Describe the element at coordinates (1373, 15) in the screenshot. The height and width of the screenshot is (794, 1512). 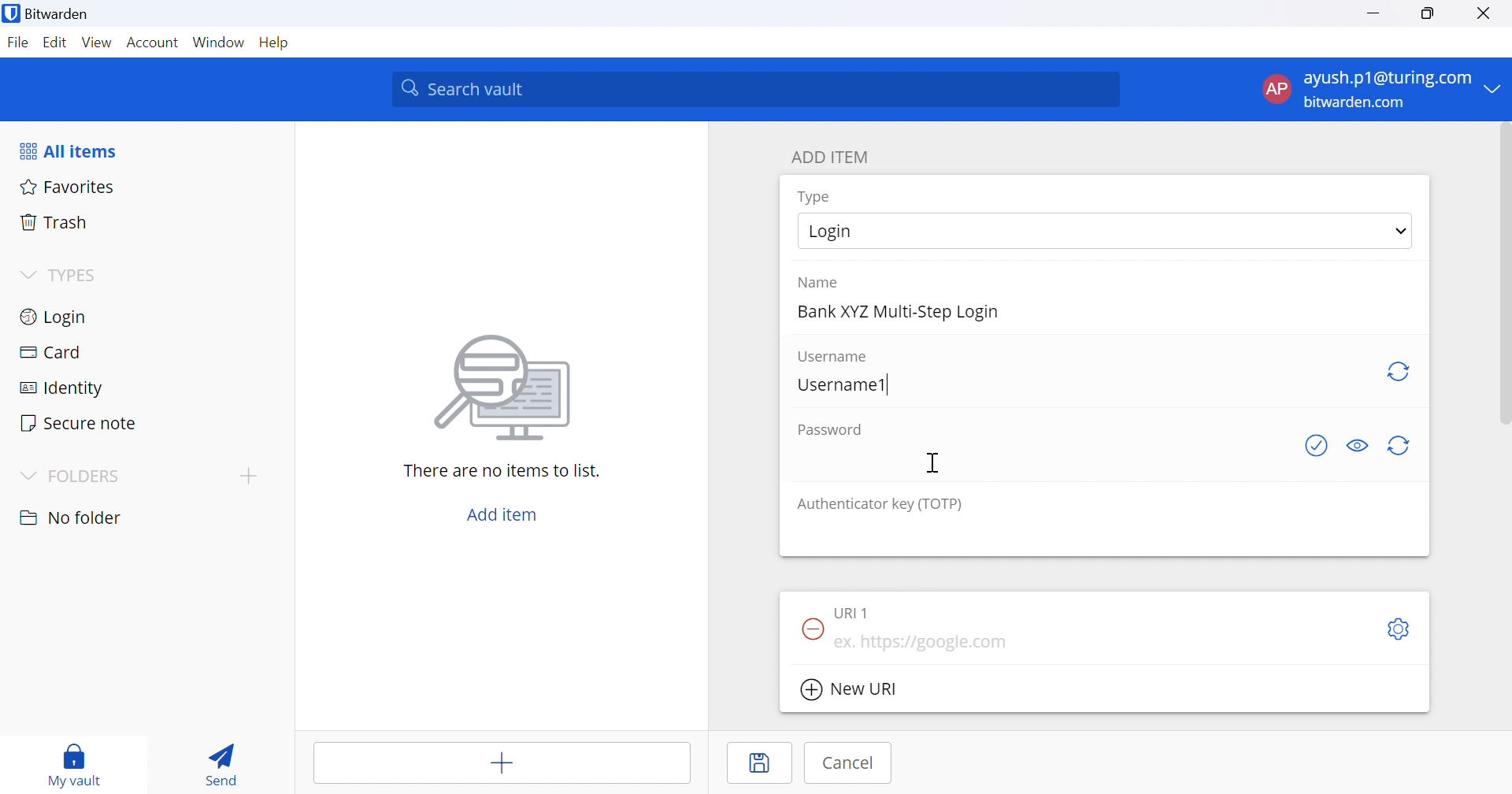
I see `Minimize` at that location.